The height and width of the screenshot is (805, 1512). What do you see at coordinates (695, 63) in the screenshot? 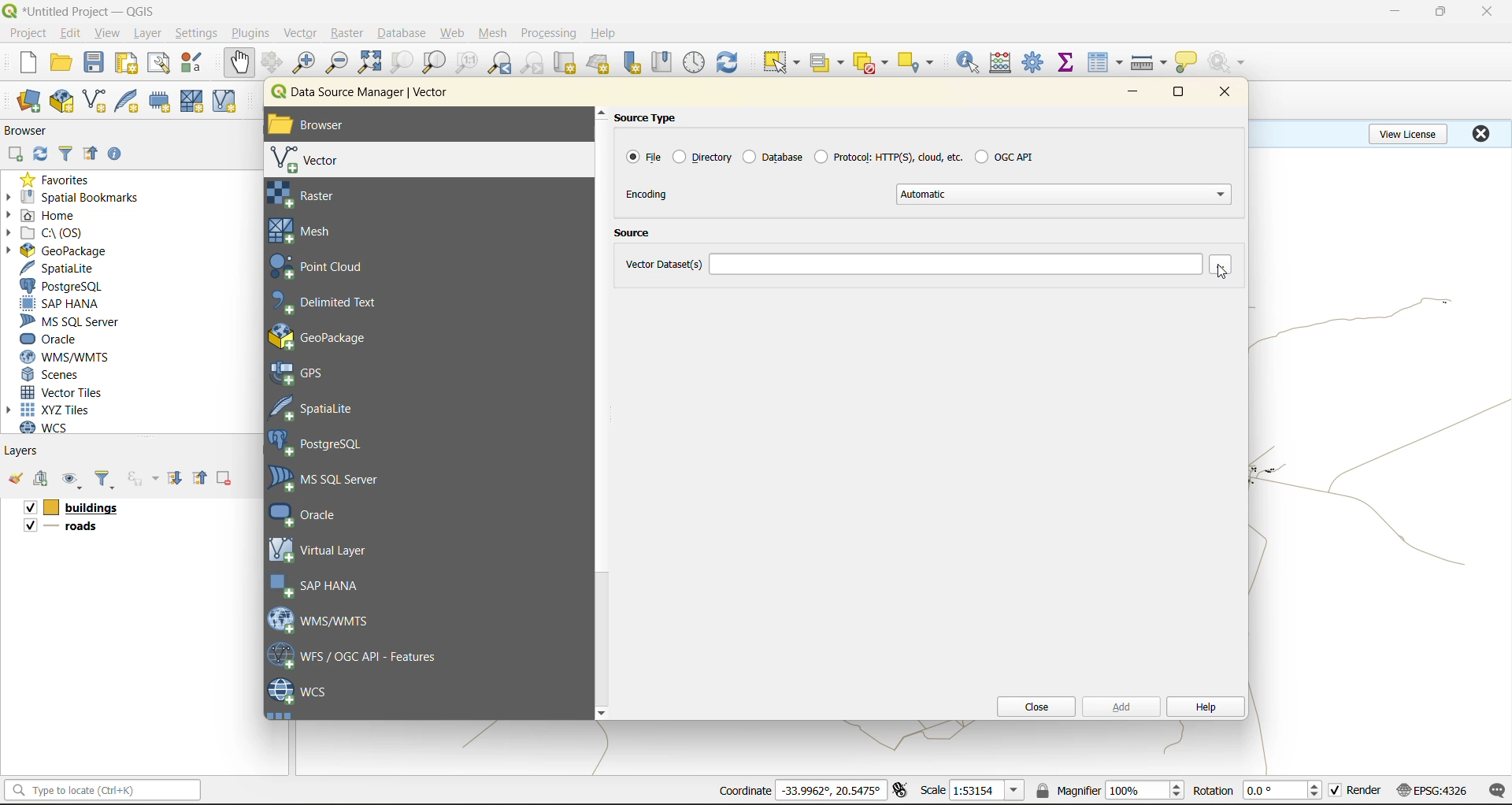
I see `control panel` at bounding box center [695, 63].